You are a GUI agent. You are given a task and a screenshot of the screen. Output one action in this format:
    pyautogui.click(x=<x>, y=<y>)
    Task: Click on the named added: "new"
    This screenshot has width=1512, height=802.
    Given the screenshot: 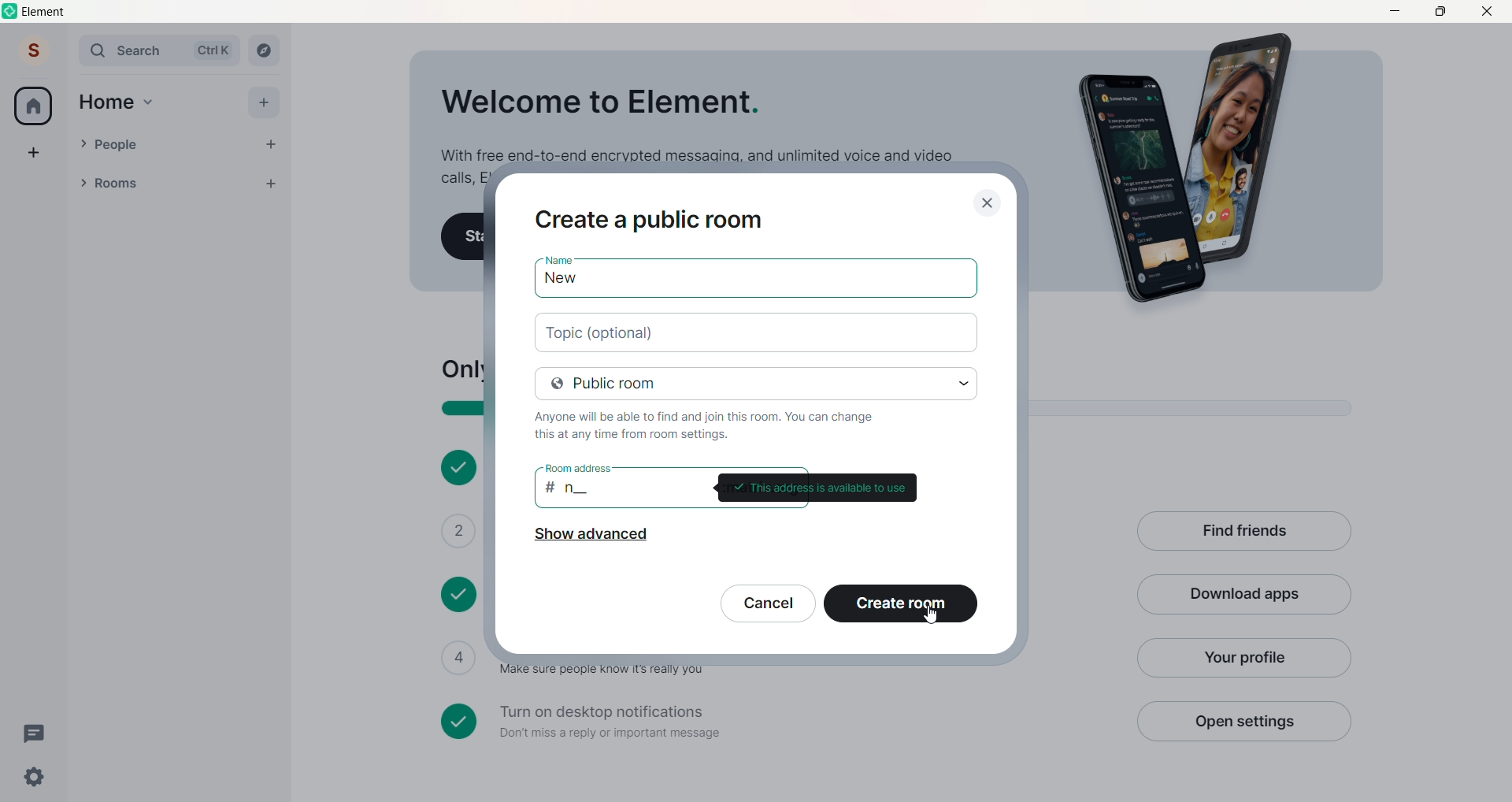 What is the action you would take?
    pyautogui.click(x=755, y=281)
    